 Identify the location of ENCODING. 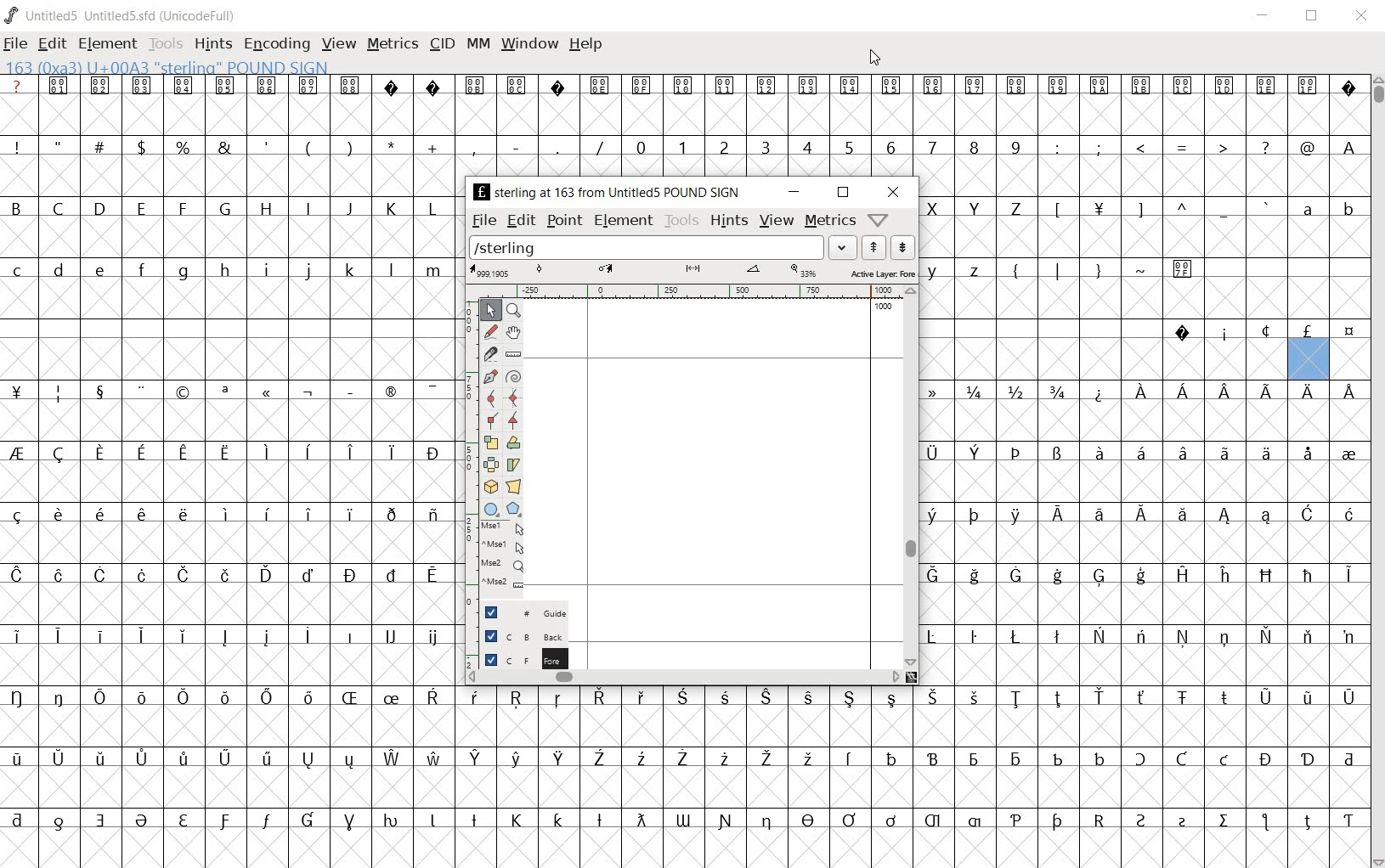
(275, 45).